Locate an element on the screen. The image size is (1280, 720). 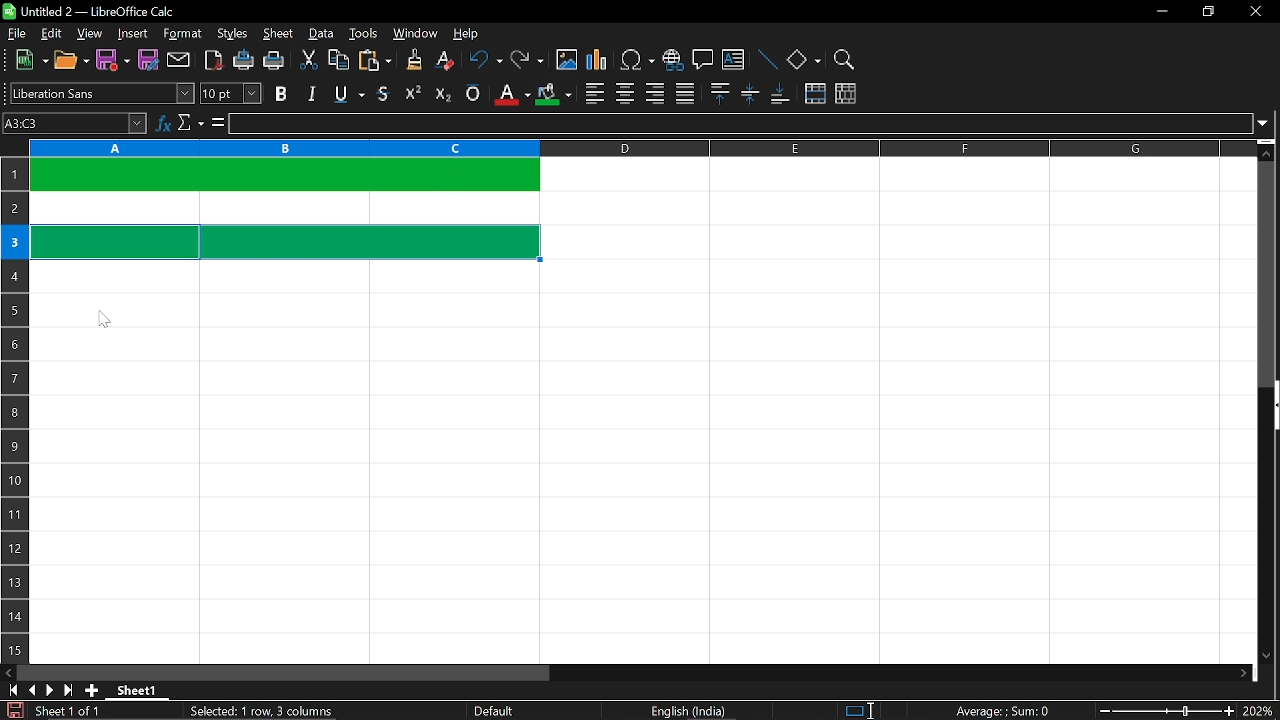
new is located at coordinates (27, 61).